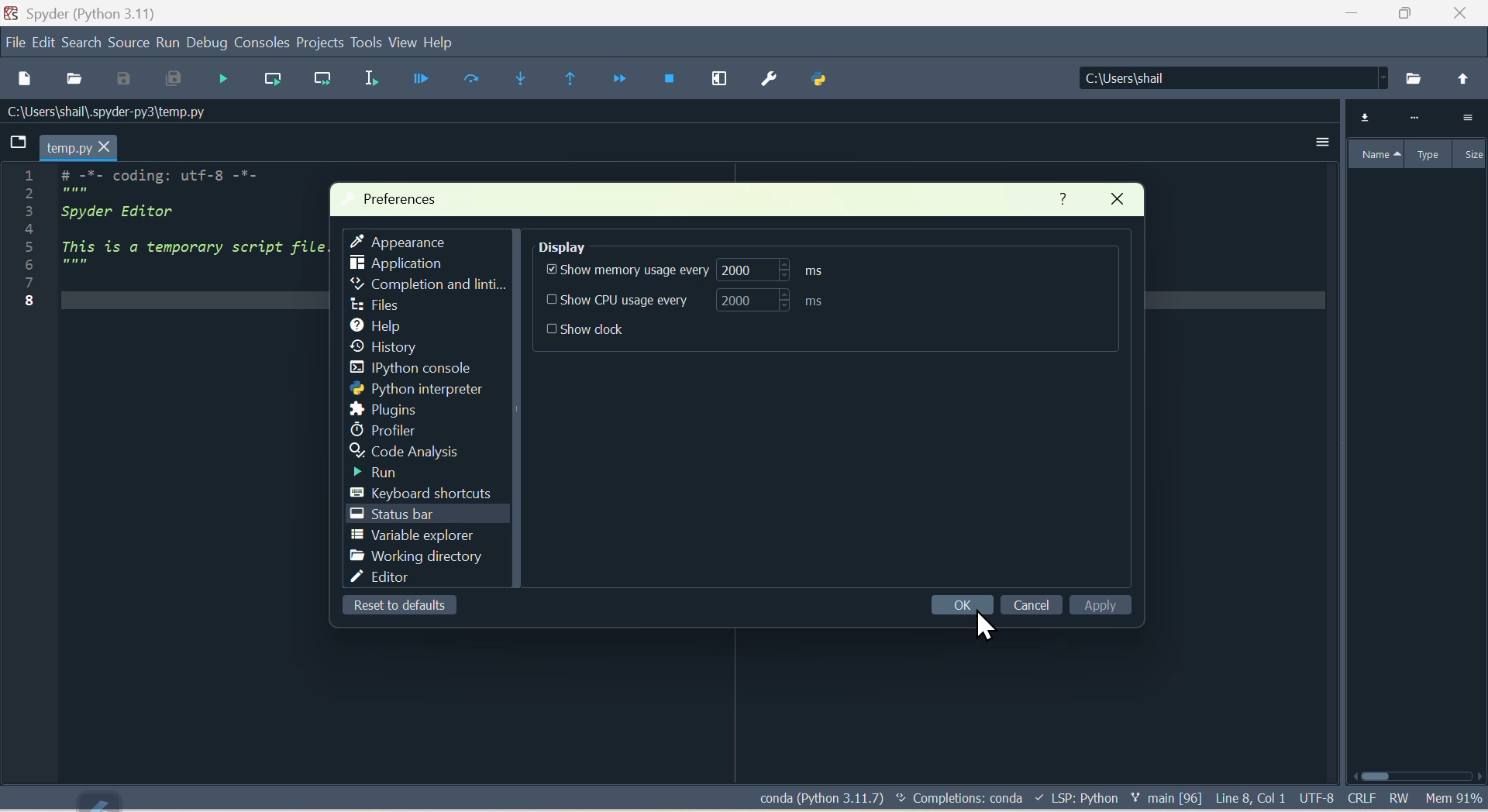  What do you see at coordinates (447, 46) in the screenshot?
I see `help` at bounding box center [447, 46].